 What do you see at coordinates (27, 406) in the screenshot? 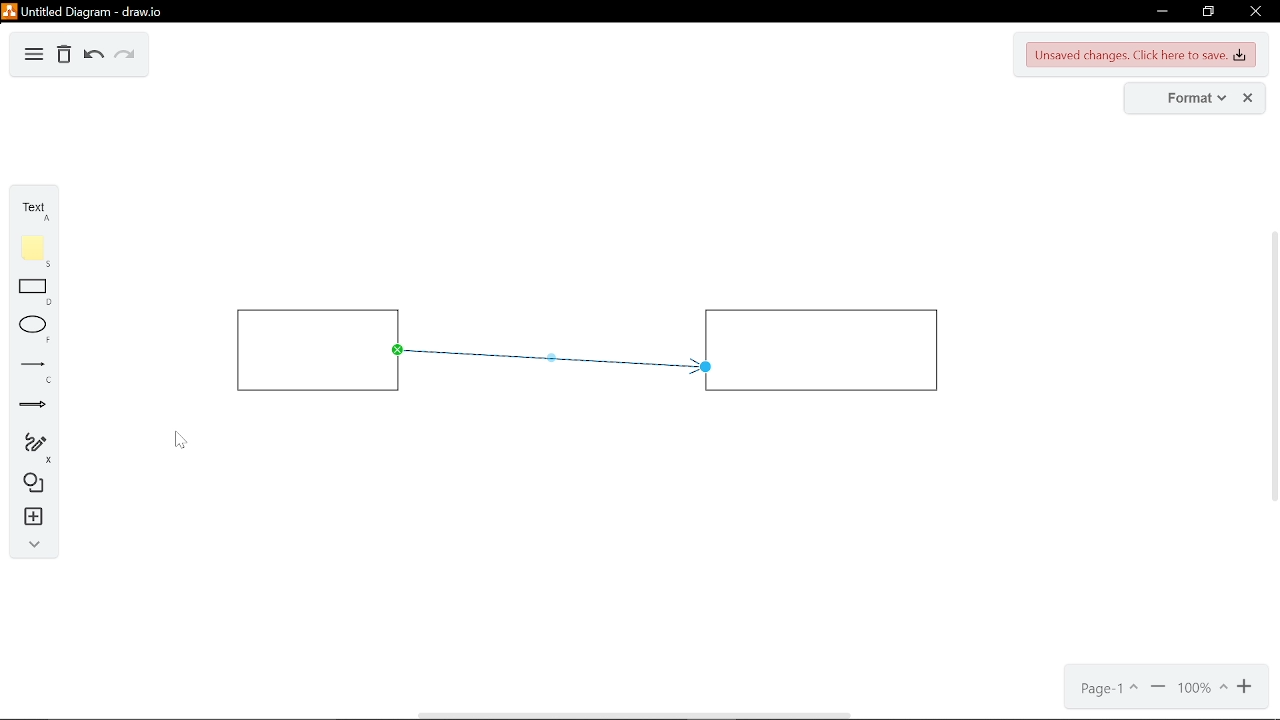
I see `arrows` at bounding box center [27, 406].